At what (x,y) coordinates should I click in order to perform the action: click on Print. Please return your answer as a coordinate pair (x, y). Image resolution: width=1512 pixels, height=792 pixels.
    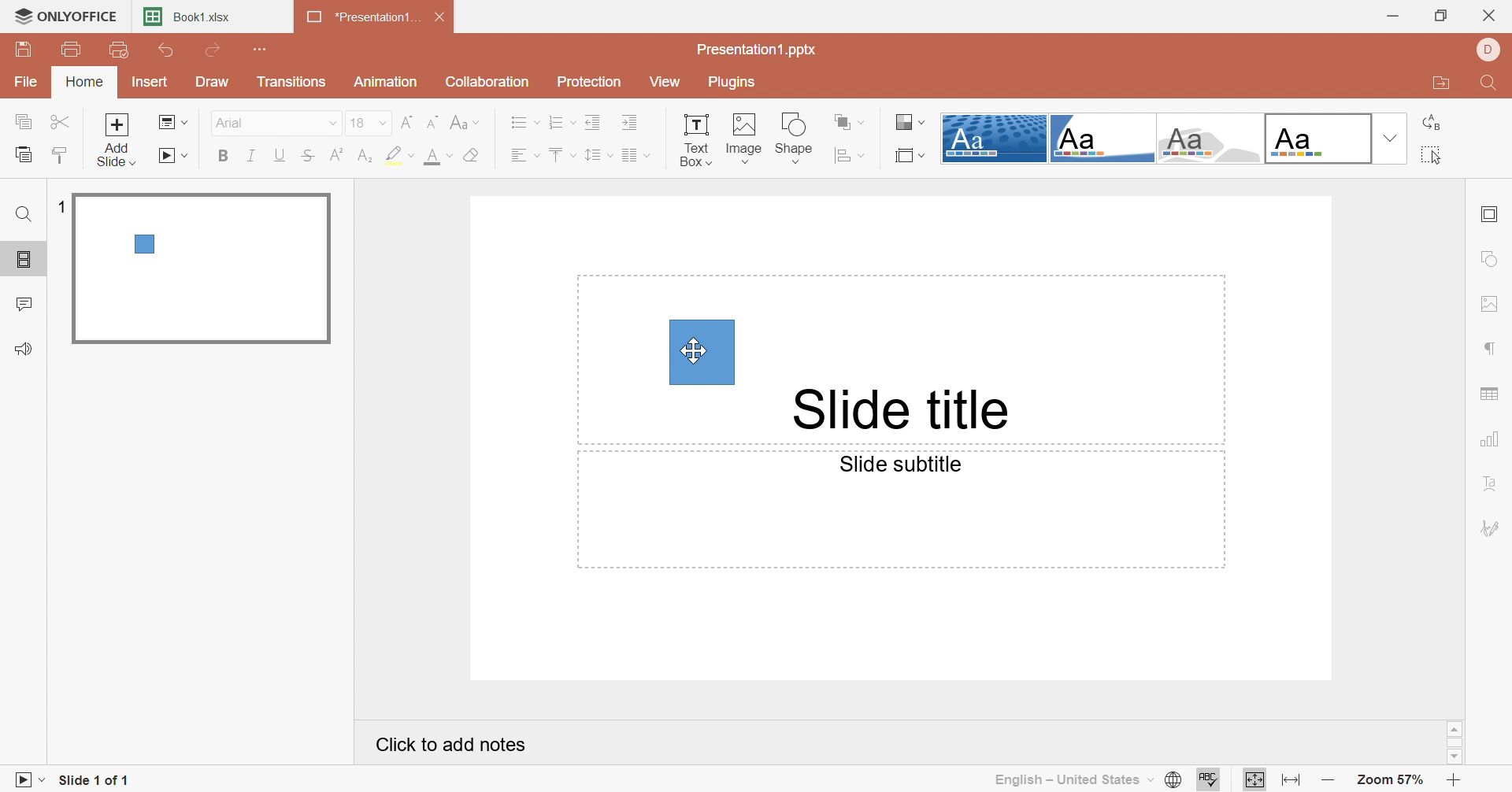
    Looking at the image, I should click on (79, 50).